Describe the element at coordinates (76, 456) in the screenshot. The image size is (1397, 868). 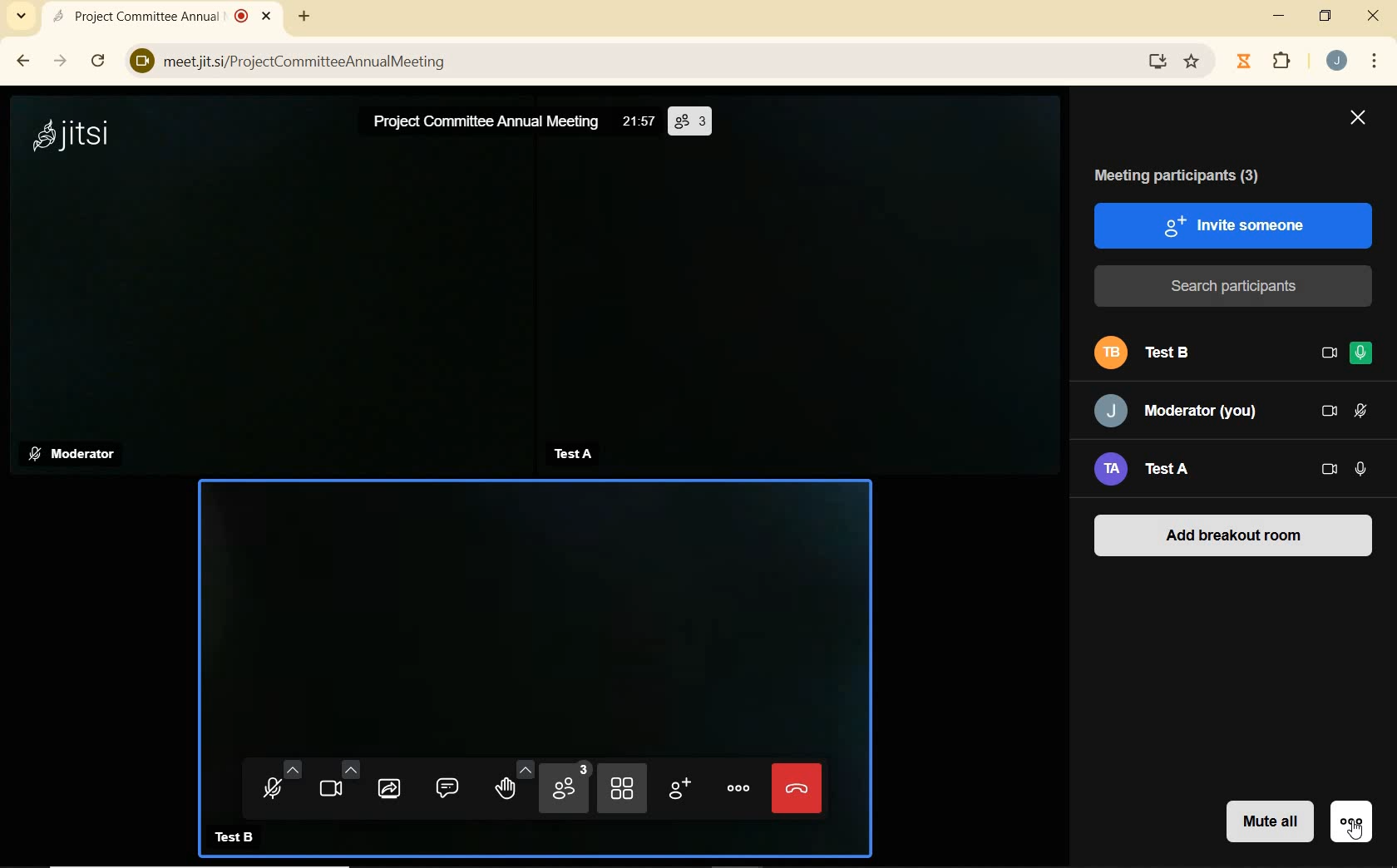
I see `moderator` at that location.